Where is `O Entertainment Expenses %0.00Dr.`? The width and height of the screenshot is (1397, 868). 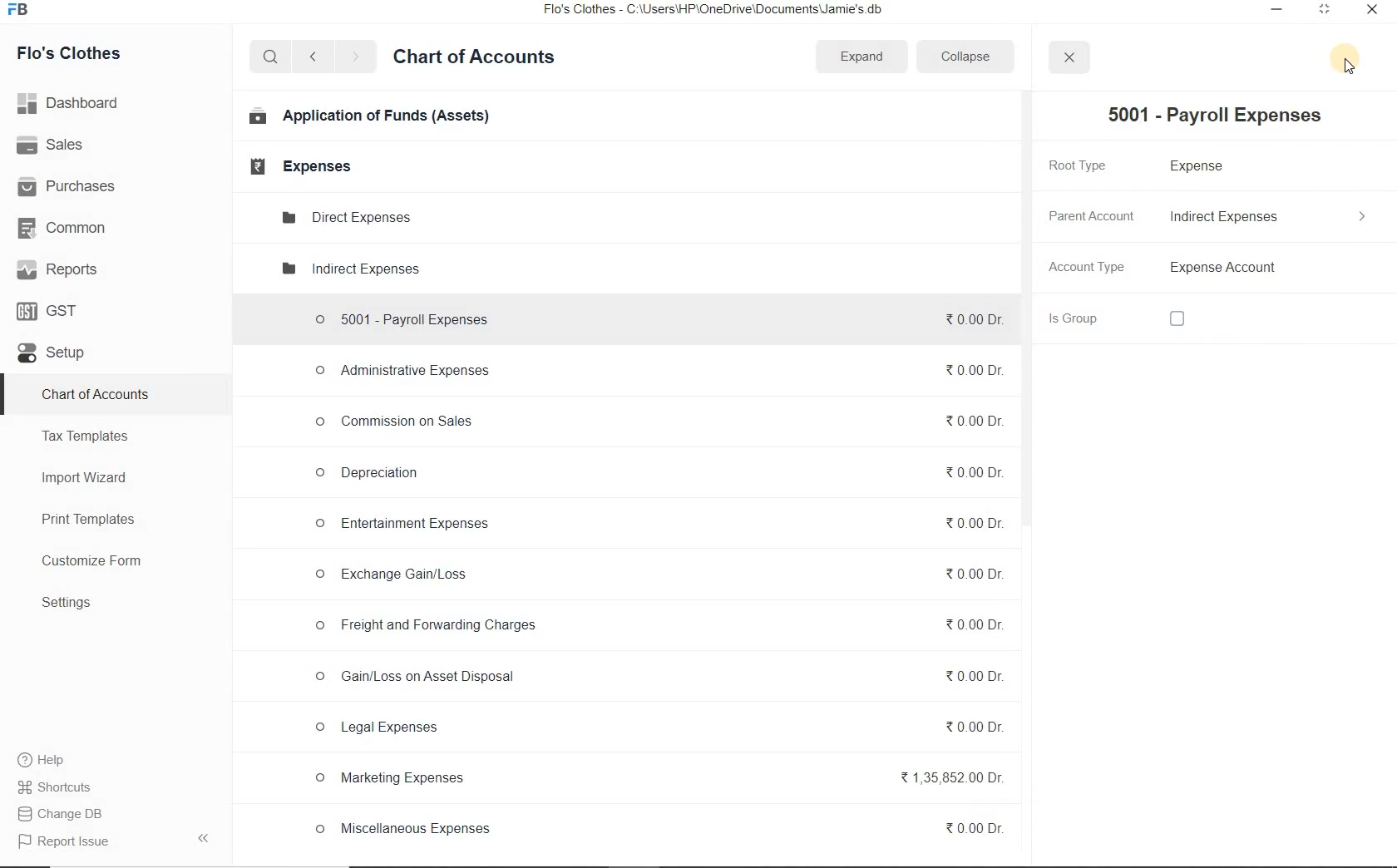
O Entertainment Expenses %0.00Dr. is located at coordinates (654, 525).